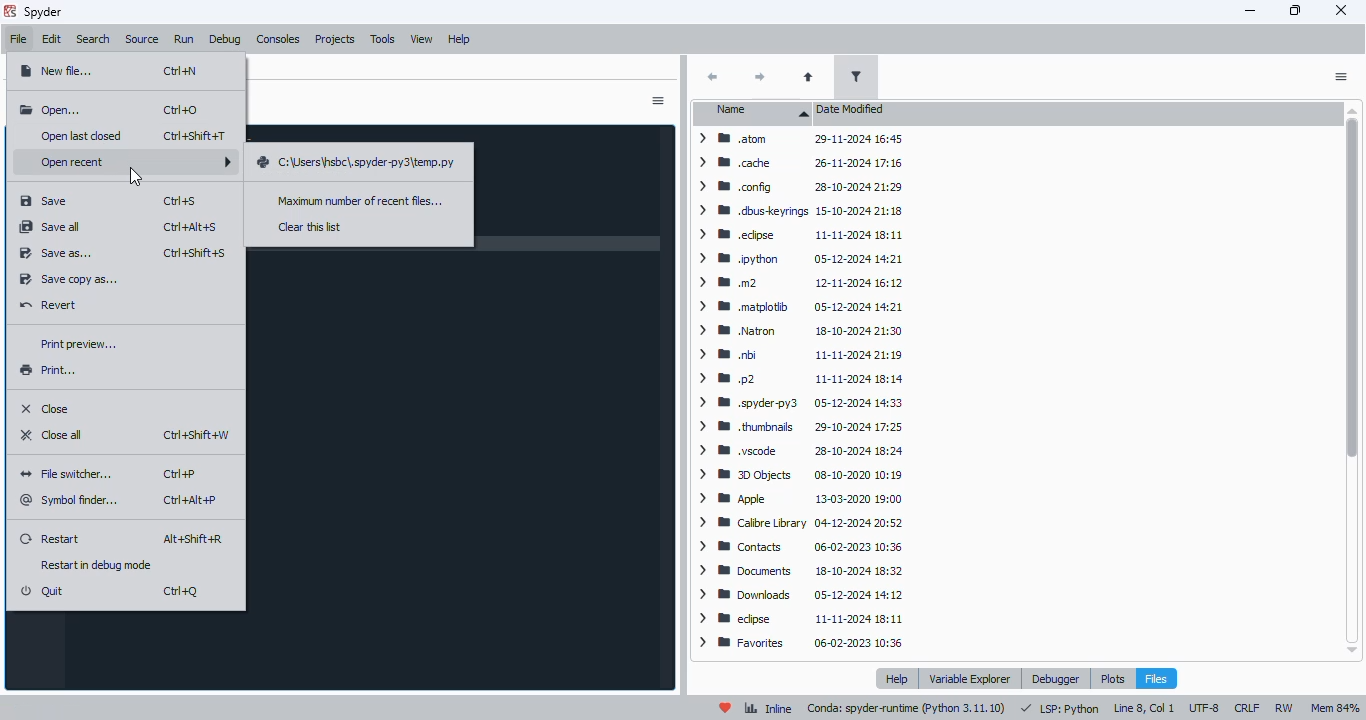  Describe the element at coordinates (70, 474) in the screenshot. I see `file switcher` at that location.